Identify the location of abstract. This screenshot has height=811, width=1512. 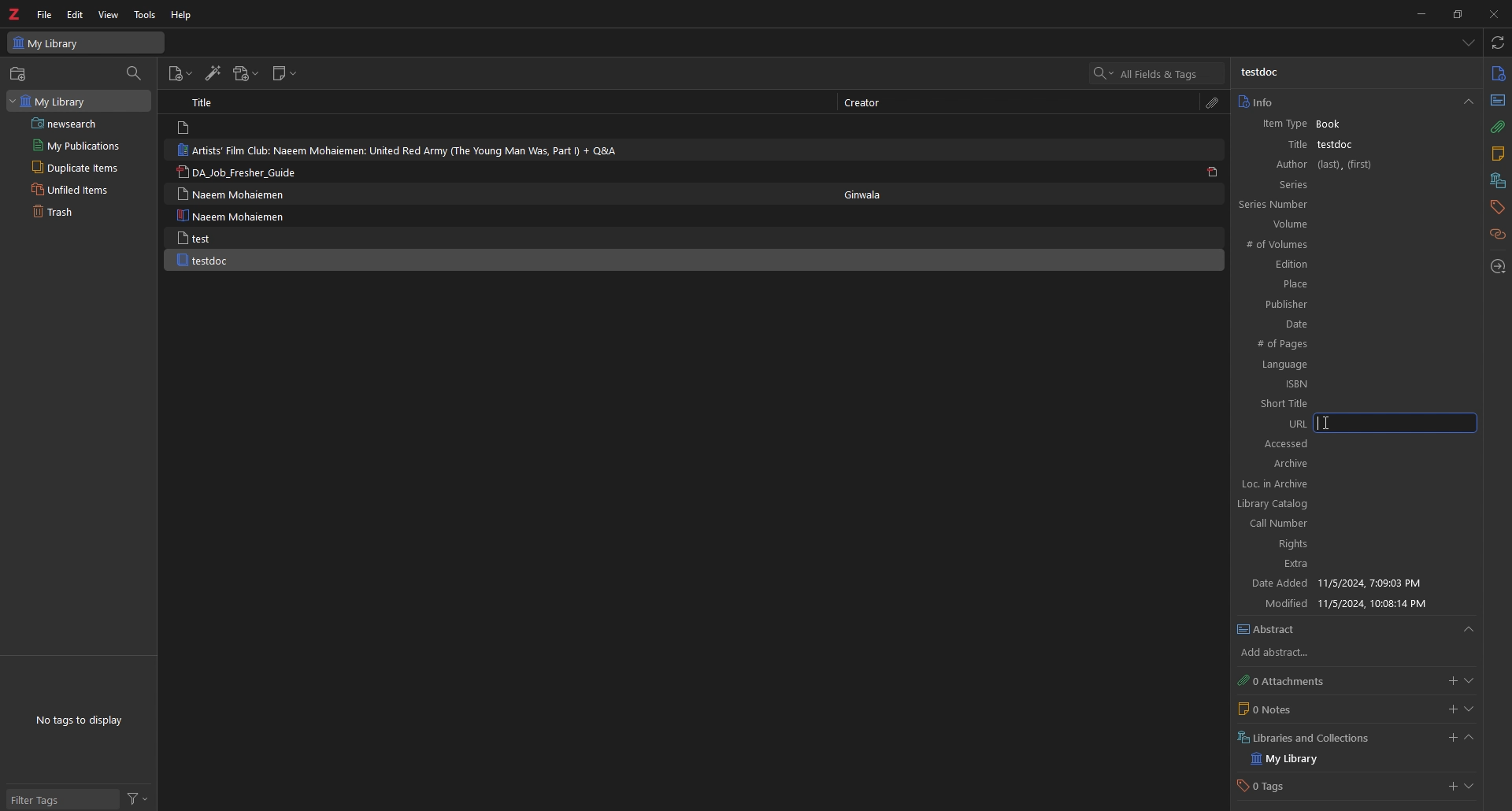
(1495, 101).